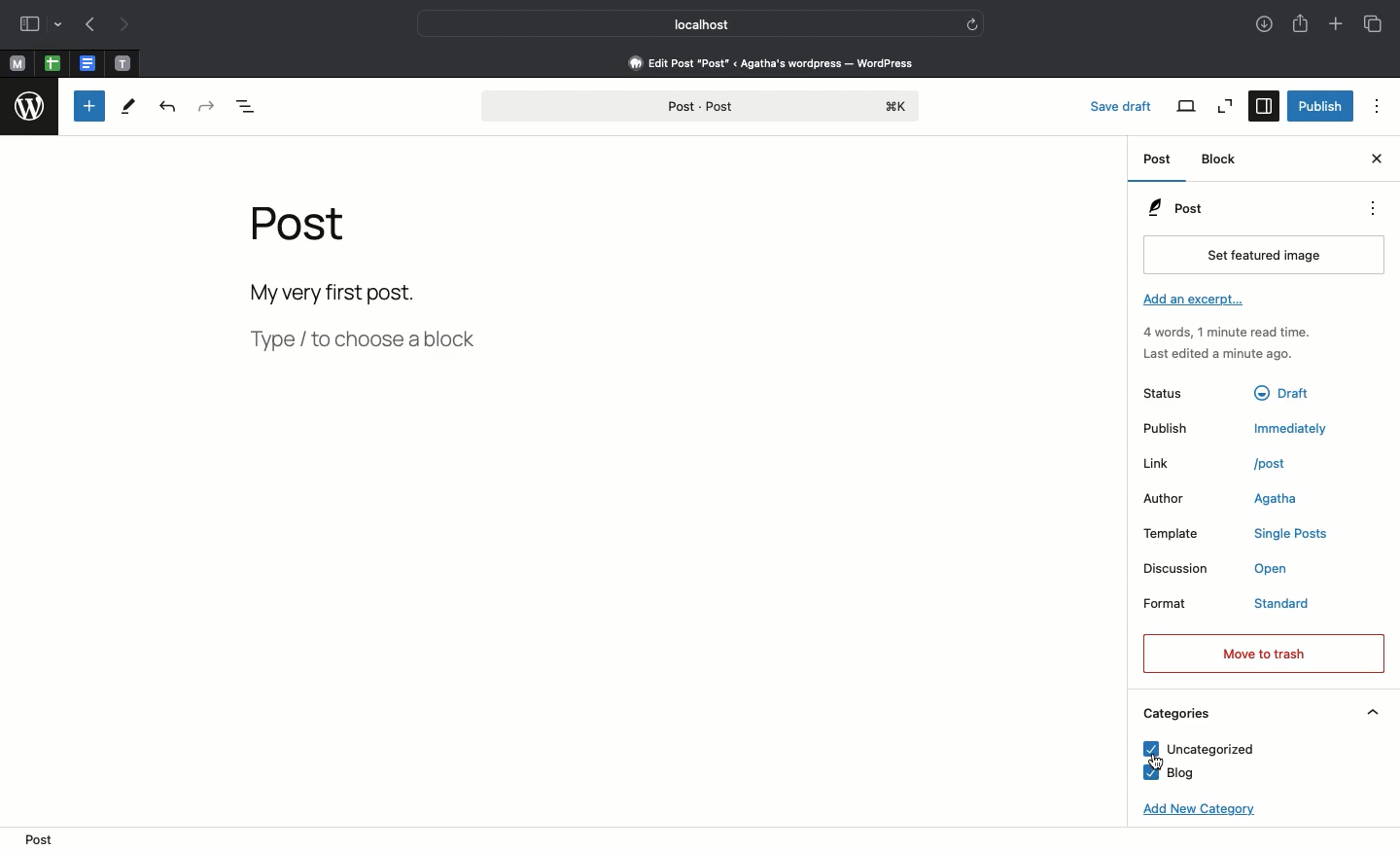  What do you see at coordinates (1276, 501) in the screenshot?
I see `agatha` at bounding box center [1276, 501].